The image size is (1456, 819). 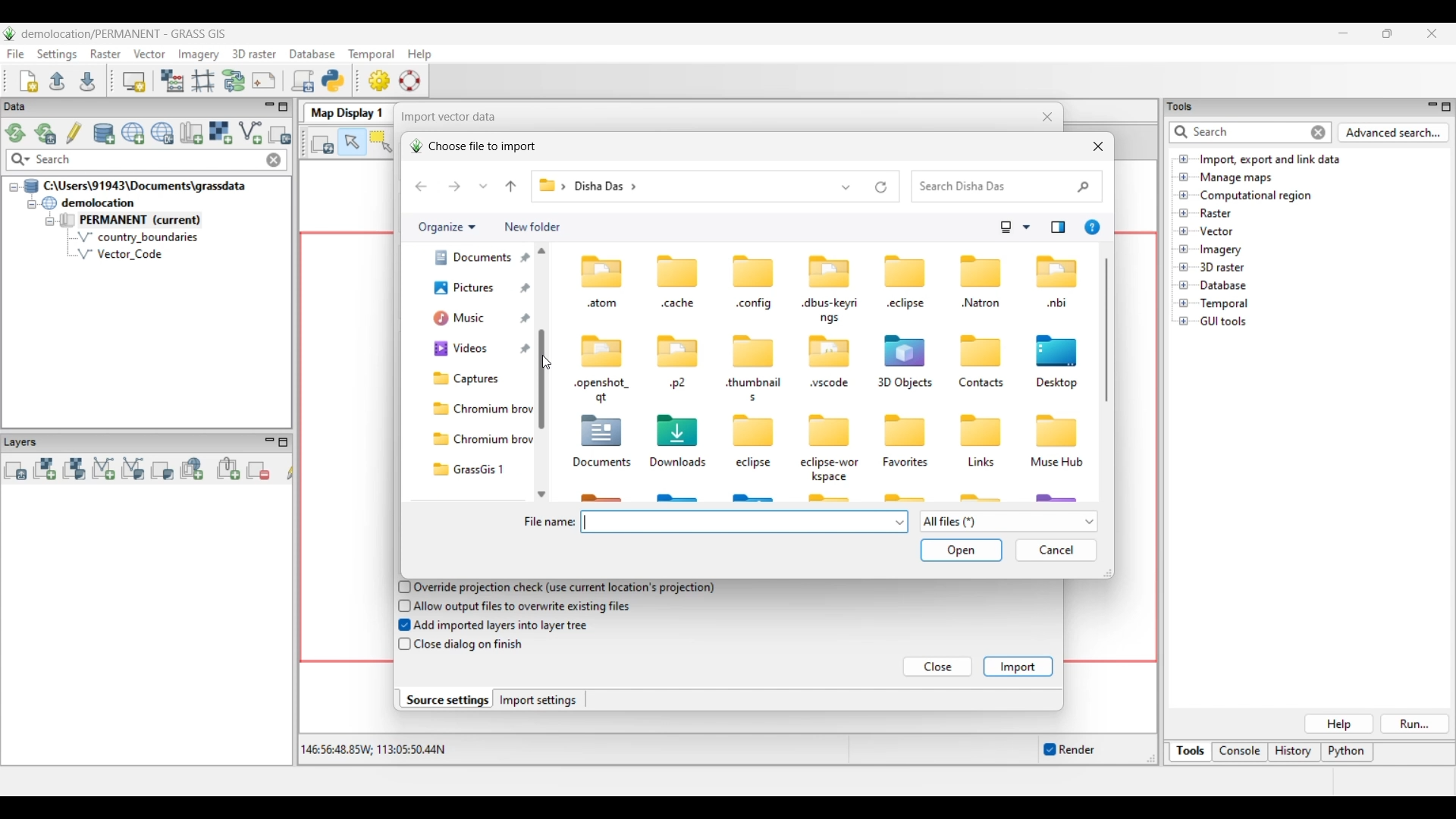 What do you see at coordinates (371, 55) in the screenshot?
I see `Temporal menu` at bounding box center [371, 55].